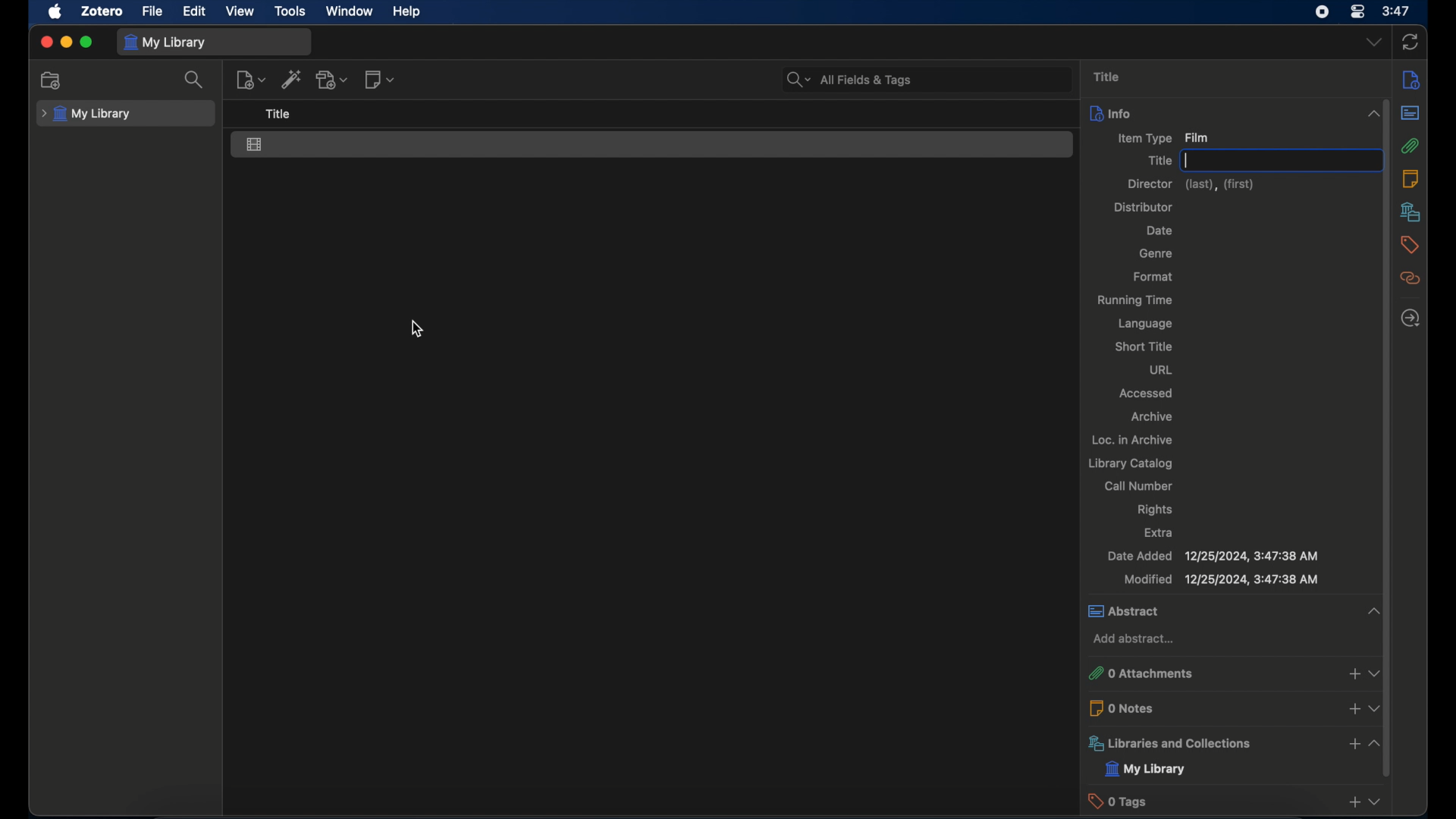 Image resolution: width=1456 pixels, height=819 pixels. What do you see at coordinates (417, 330) in the screenshot?
I see `cursor` at bounding box center [417, 330].